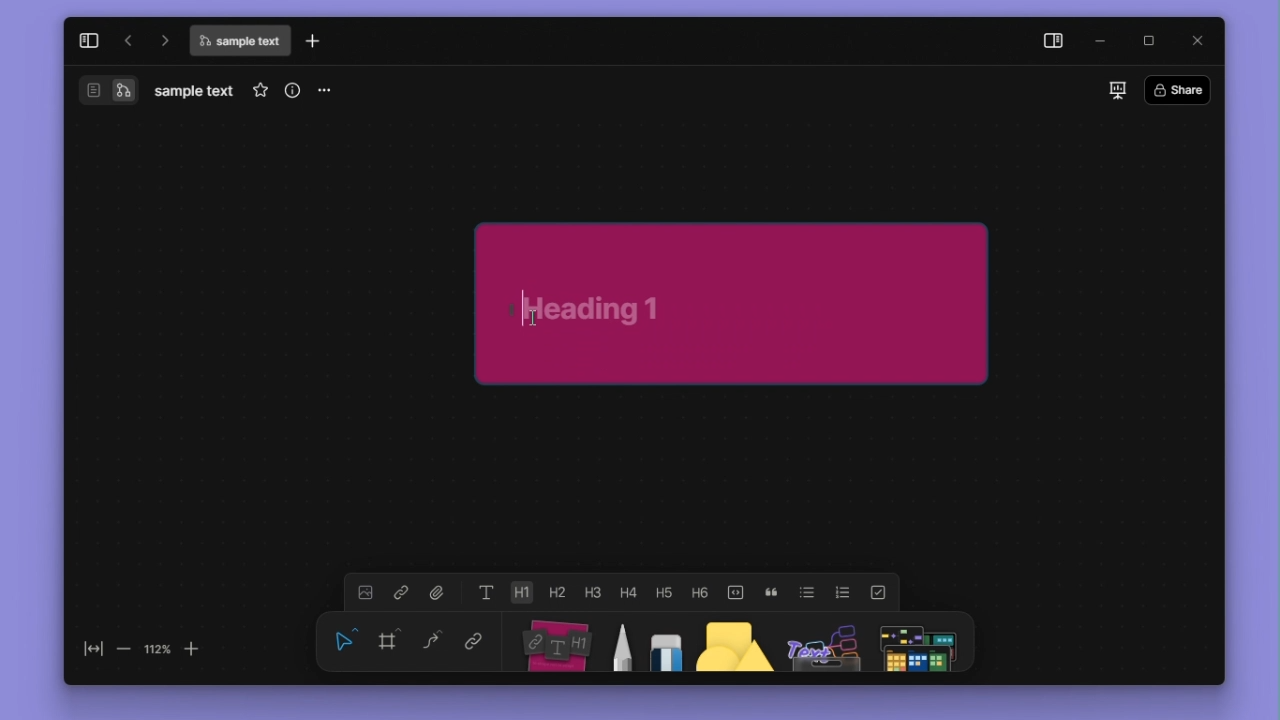  Describe the element at coordinates (733, 303) in the screenshot. I see `sticky note` at that location.